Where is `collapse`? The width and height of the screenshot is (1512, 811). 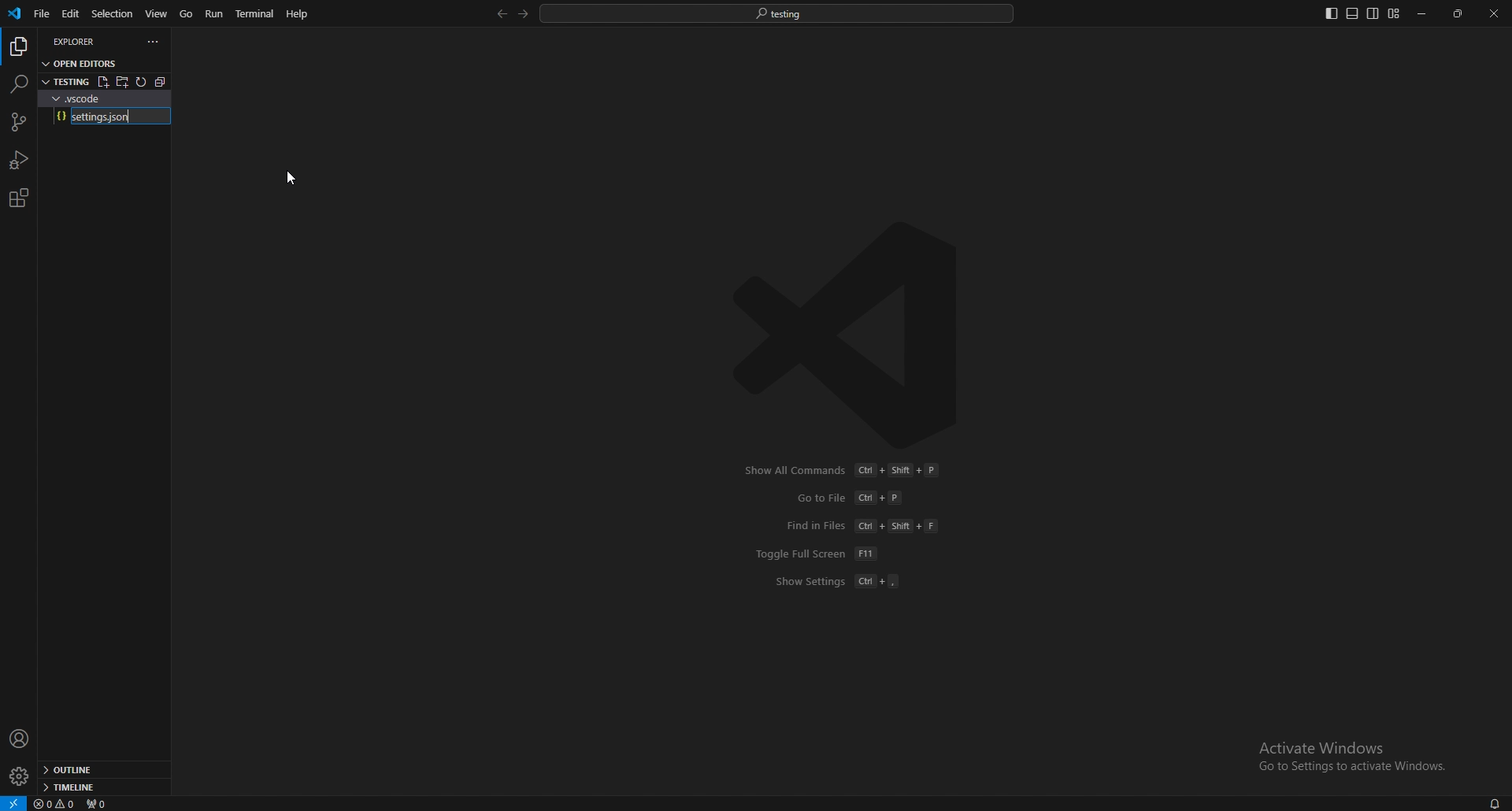
collapse is located at coordinates (165, 81).